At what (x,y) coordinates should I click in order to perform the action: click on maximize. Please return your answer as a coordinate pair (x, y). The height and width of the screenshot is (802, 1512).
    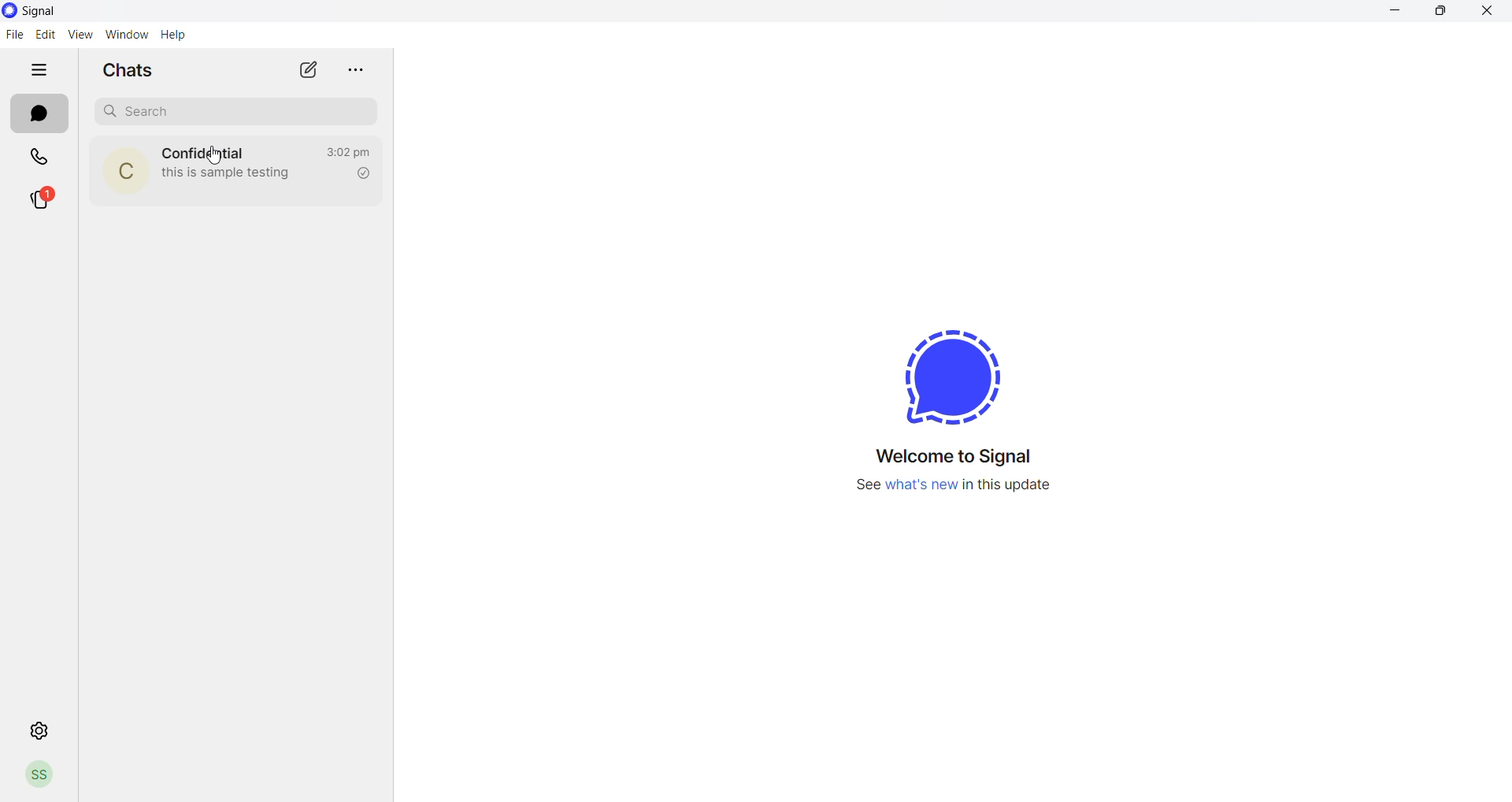
    Looking at the image, I should click on (1442, 15).